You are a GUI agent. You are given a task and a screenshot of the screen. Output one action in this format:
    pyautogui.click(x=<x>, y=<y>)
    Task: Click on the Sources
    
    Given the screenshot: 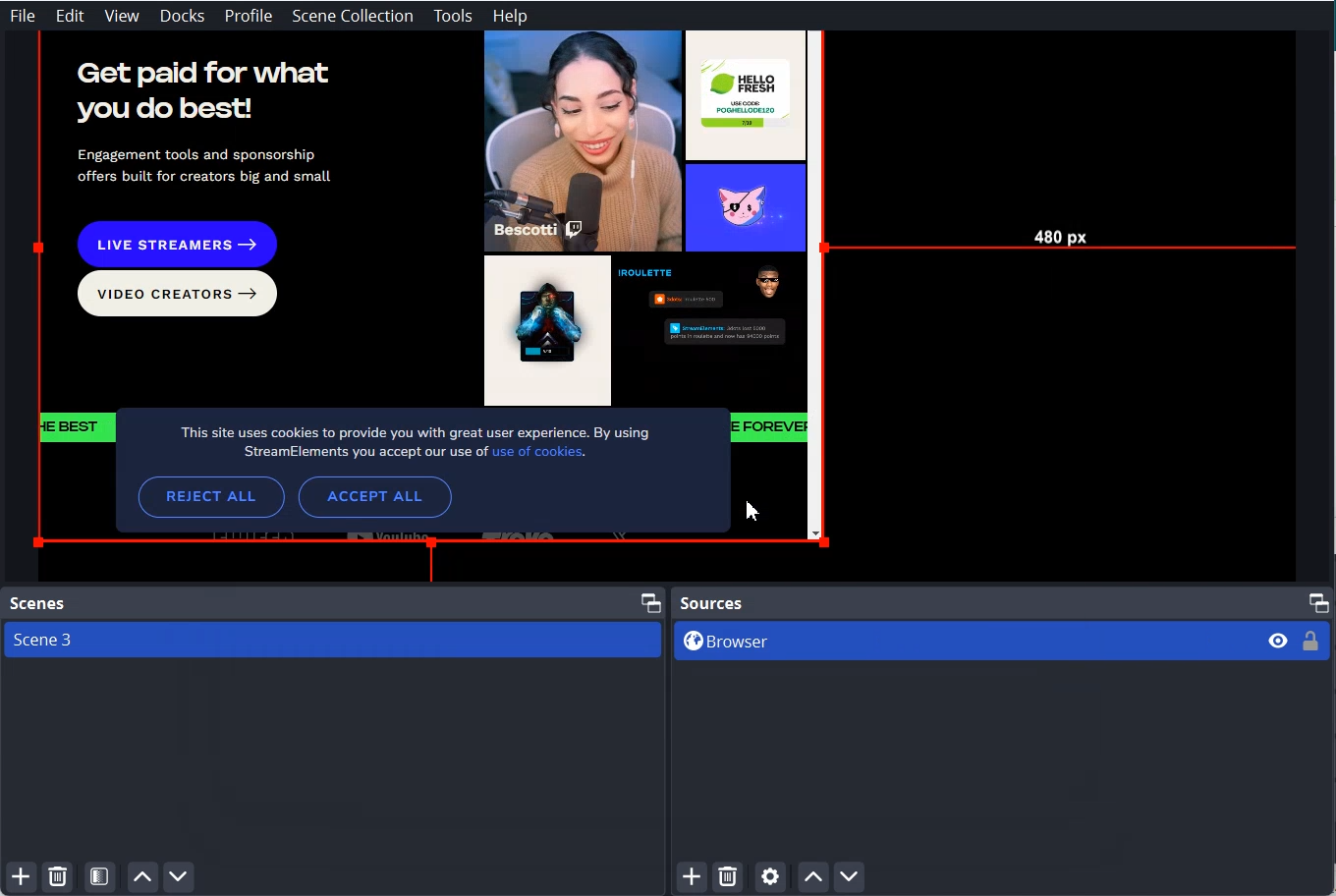 What is the action you would take?
    pyautogui.click(x=710, y=603)
    